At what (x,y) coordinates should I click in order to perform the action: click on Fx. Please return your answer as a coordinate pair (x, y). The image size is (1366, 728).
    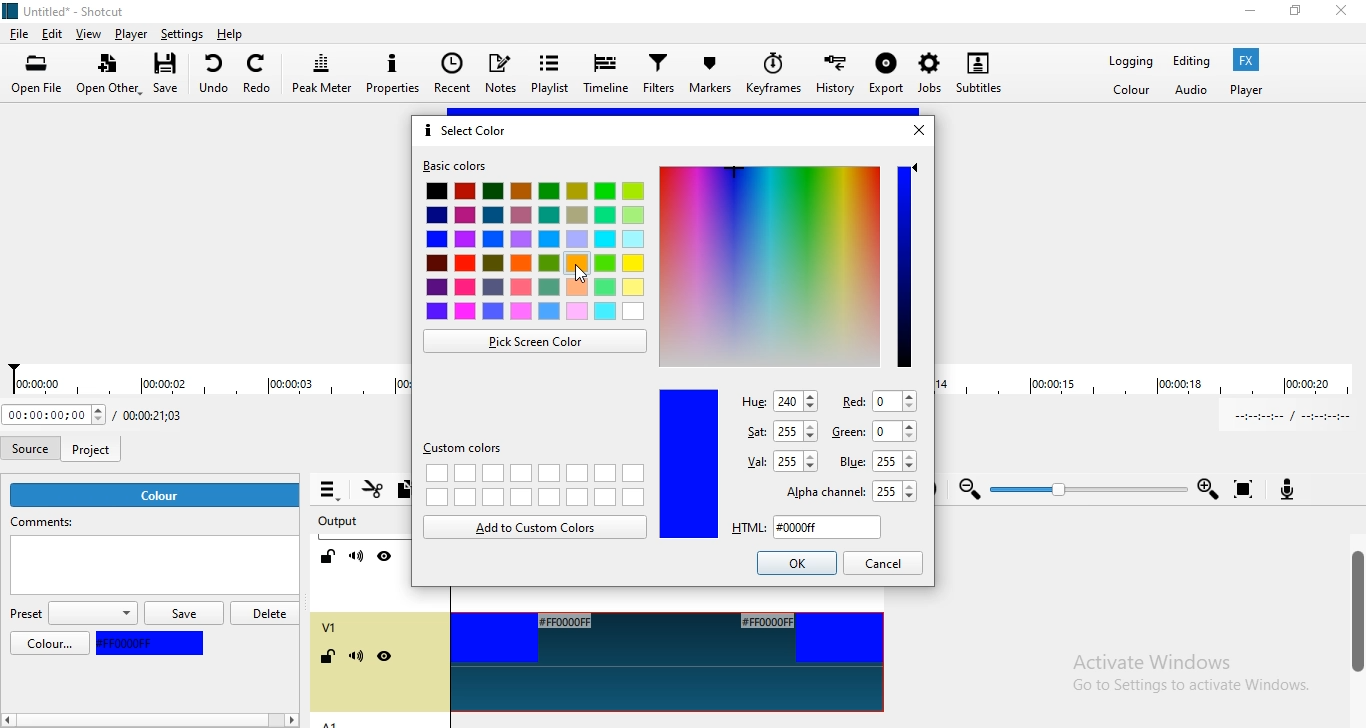
    Looking at the image, I should click on (1245, 60).